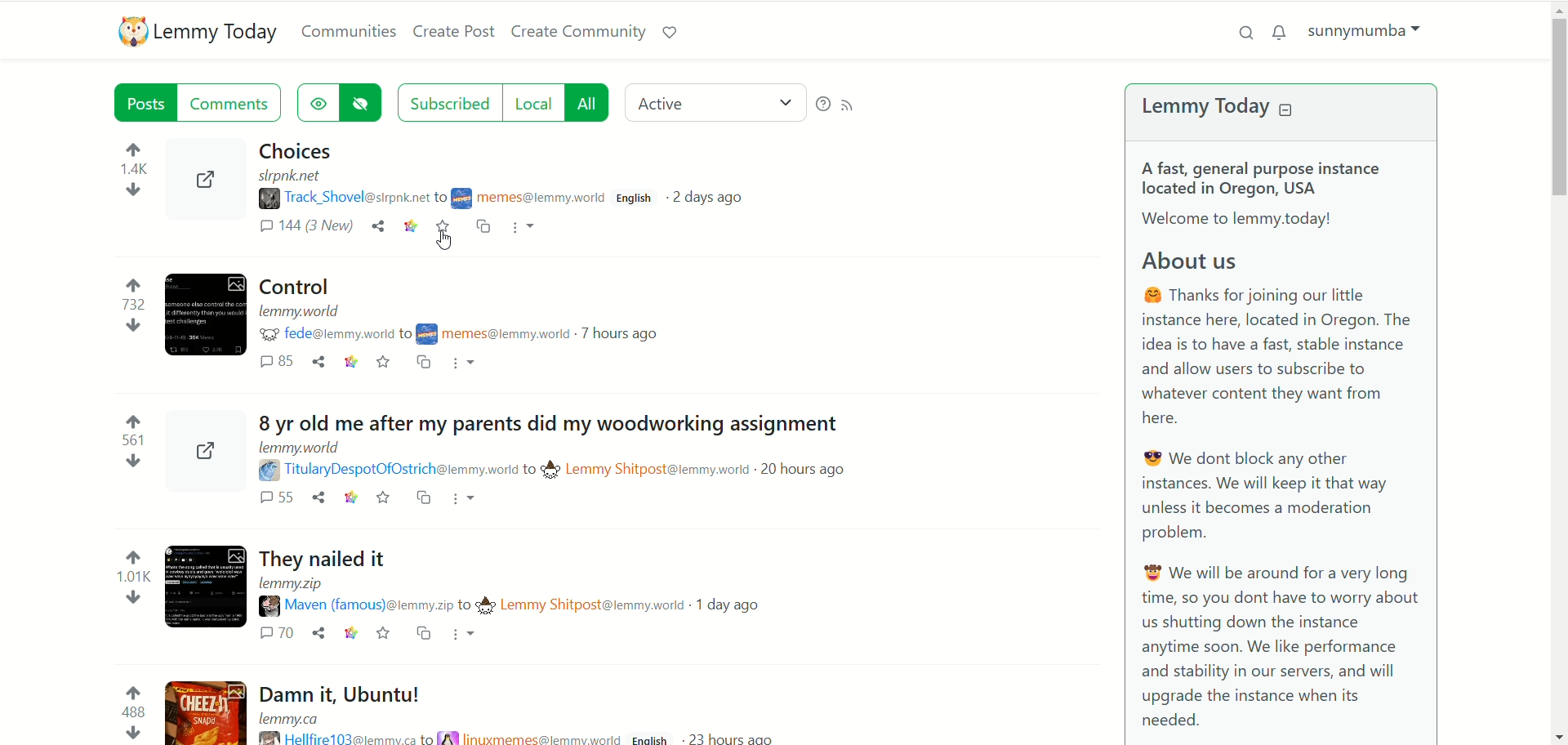 The image size is (1568, 745). Describe the element at coordinates (448, 245) in the screenshot. I see `Pointer` at that location.